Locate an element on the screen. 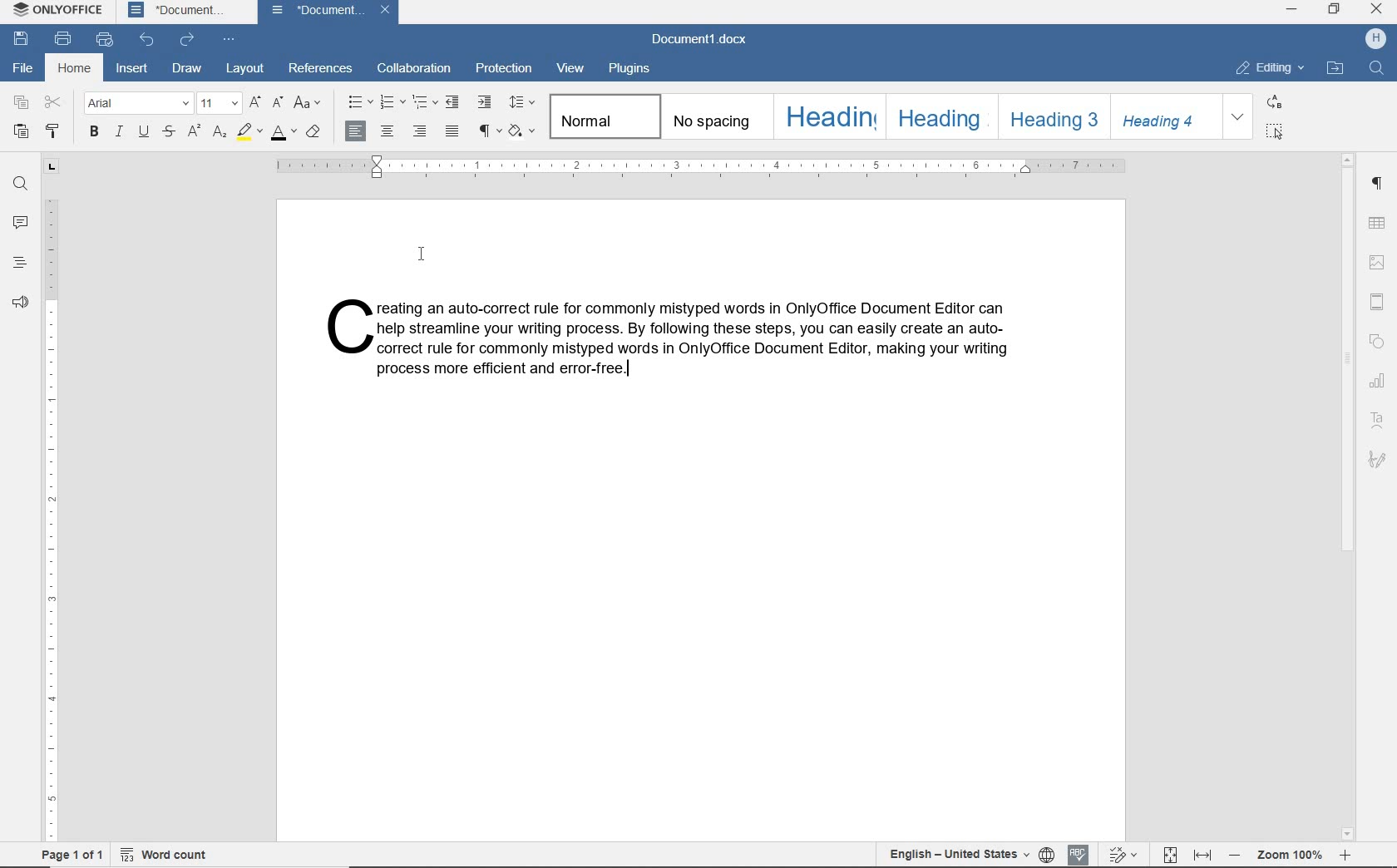  REPLACE is located at coordinates (1276, 104).